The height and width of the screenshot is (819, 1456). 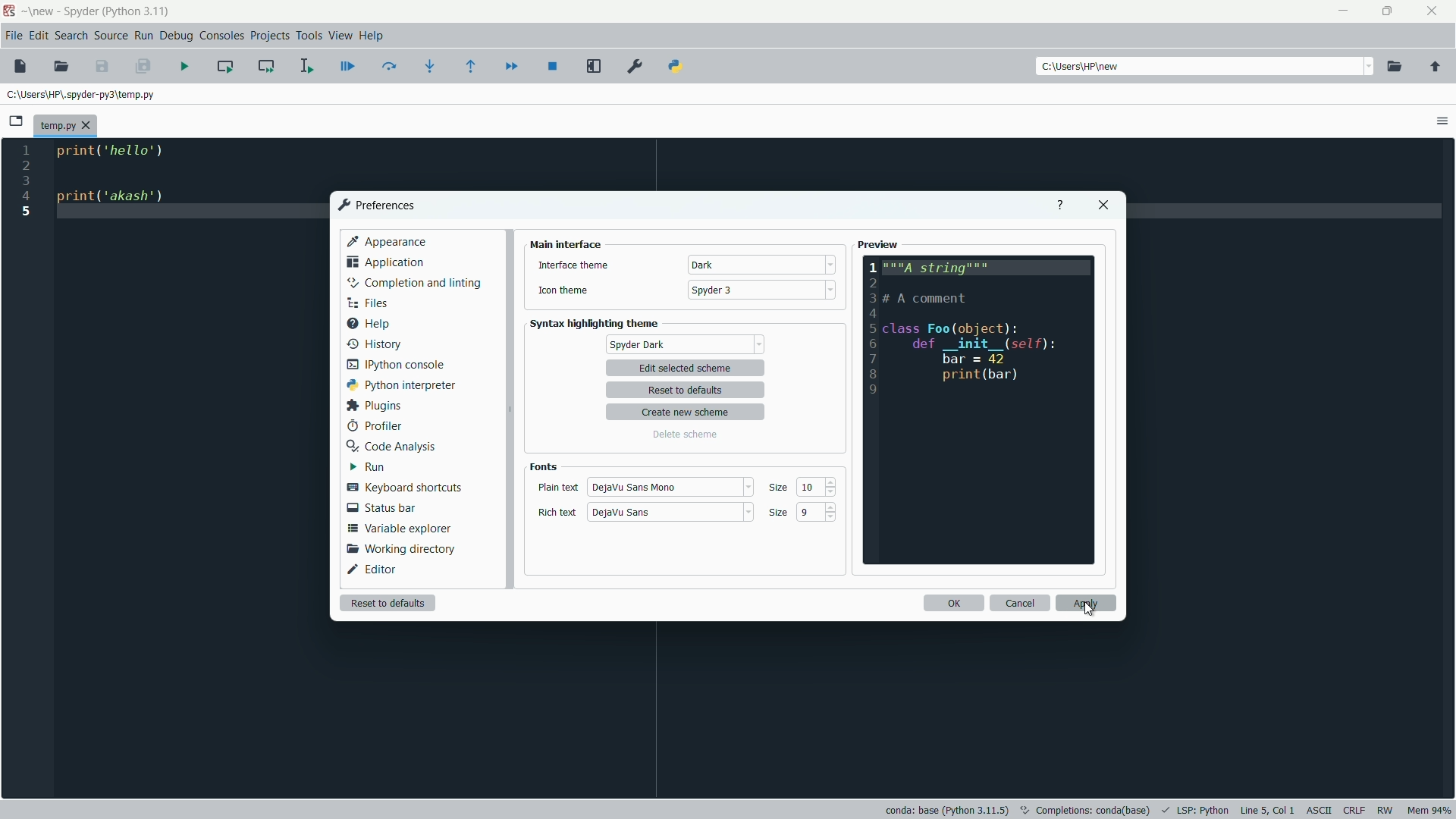 I want to click on close app, so click(x=1434, y=11).